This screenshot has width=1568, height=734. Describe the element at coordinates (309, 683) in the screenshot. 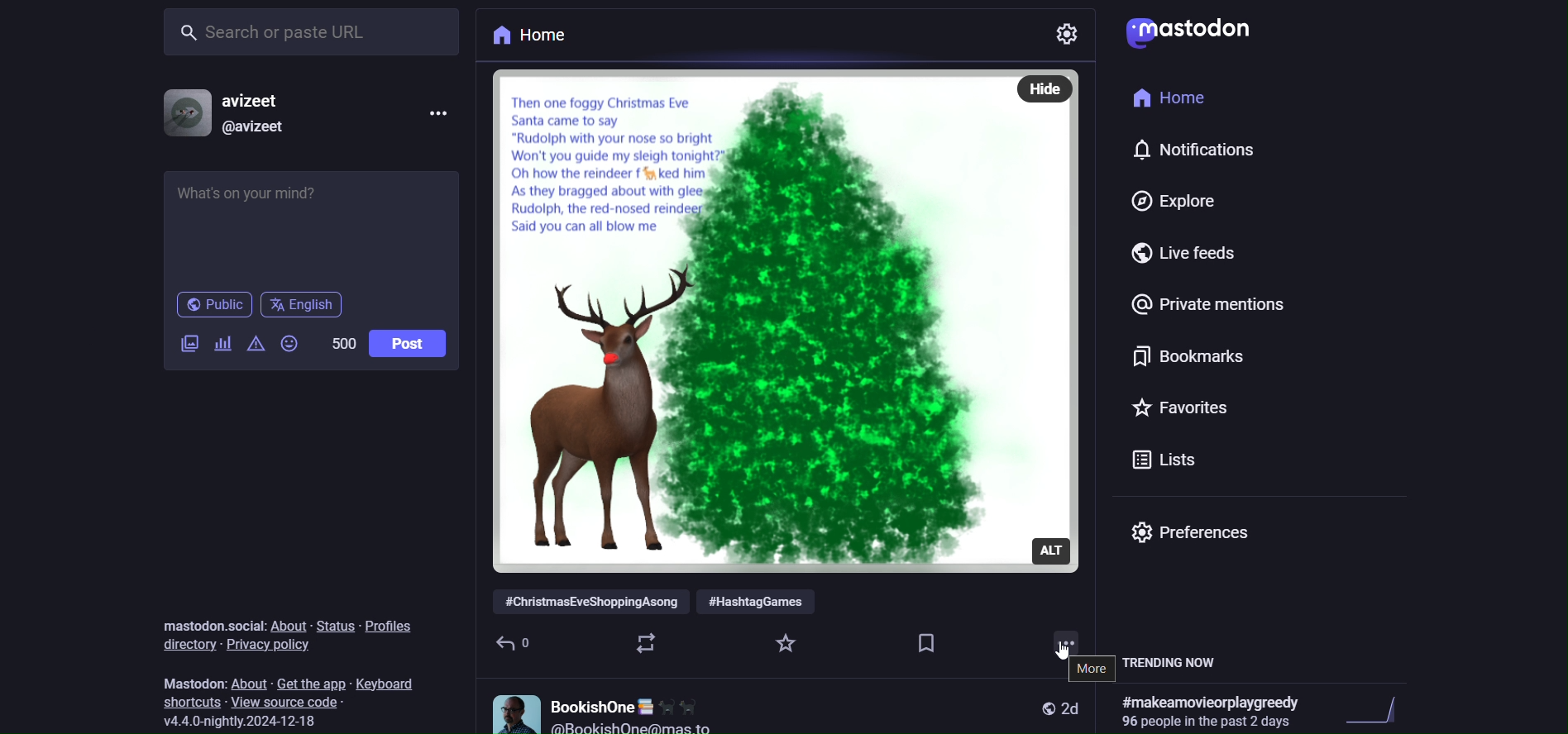

I see `get the app` at that location.